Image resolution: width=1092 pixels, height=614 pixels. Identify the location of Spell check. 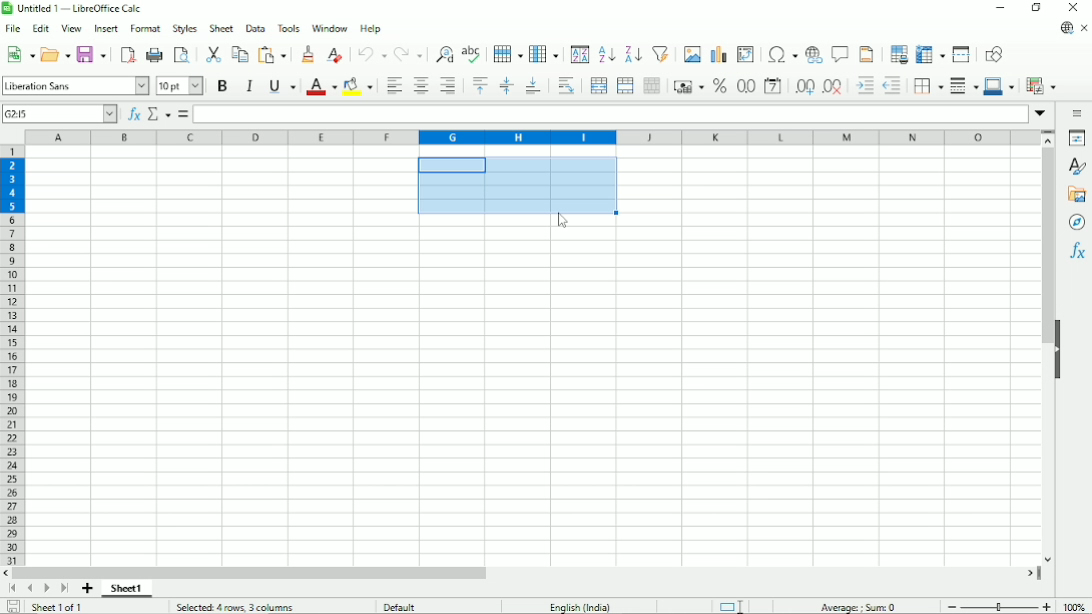
(471, 53).